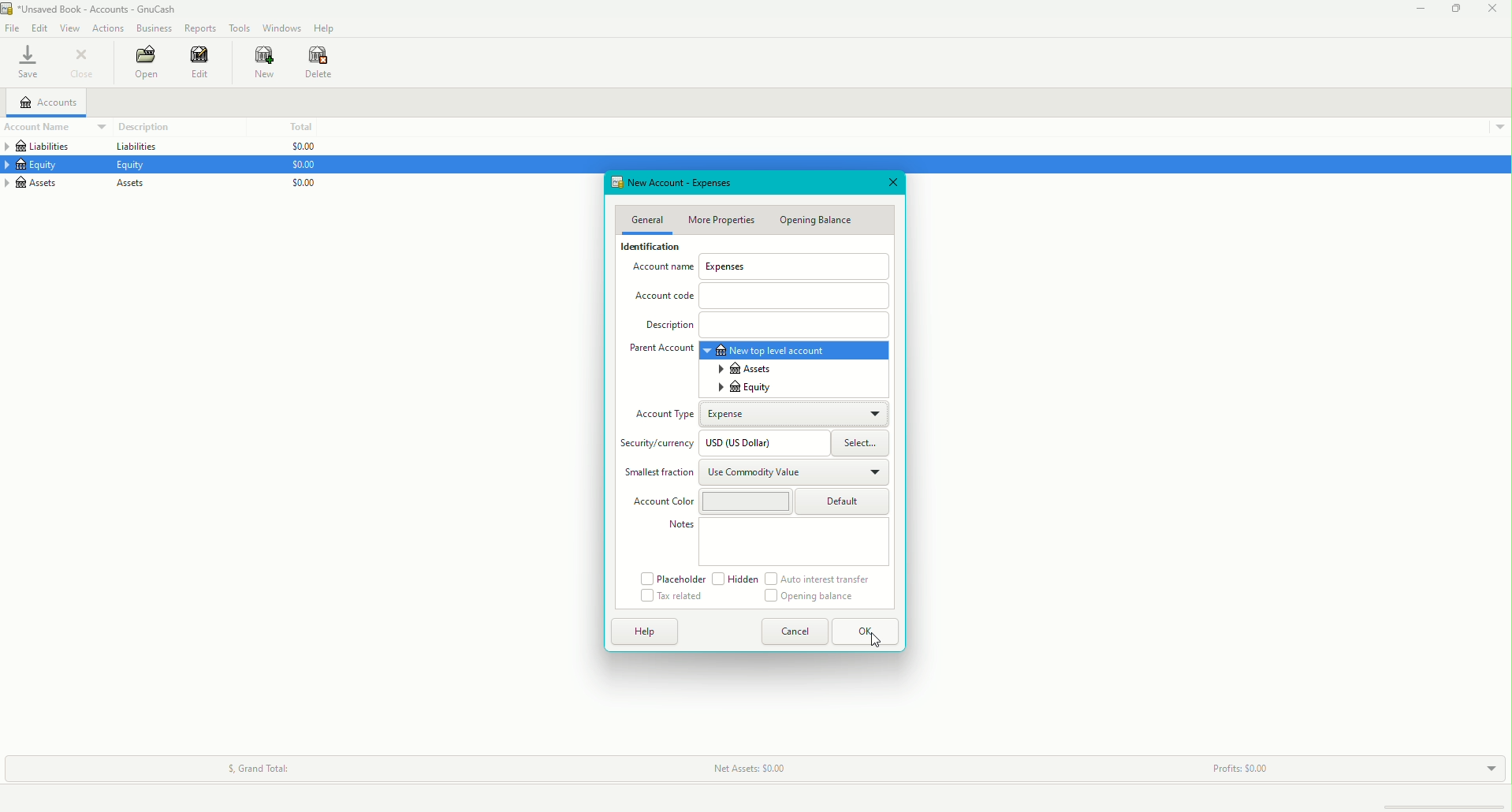 Image resolution: width=1512 pixels, height=812 pixels. I want to click on Hidden, so click(736, 581).